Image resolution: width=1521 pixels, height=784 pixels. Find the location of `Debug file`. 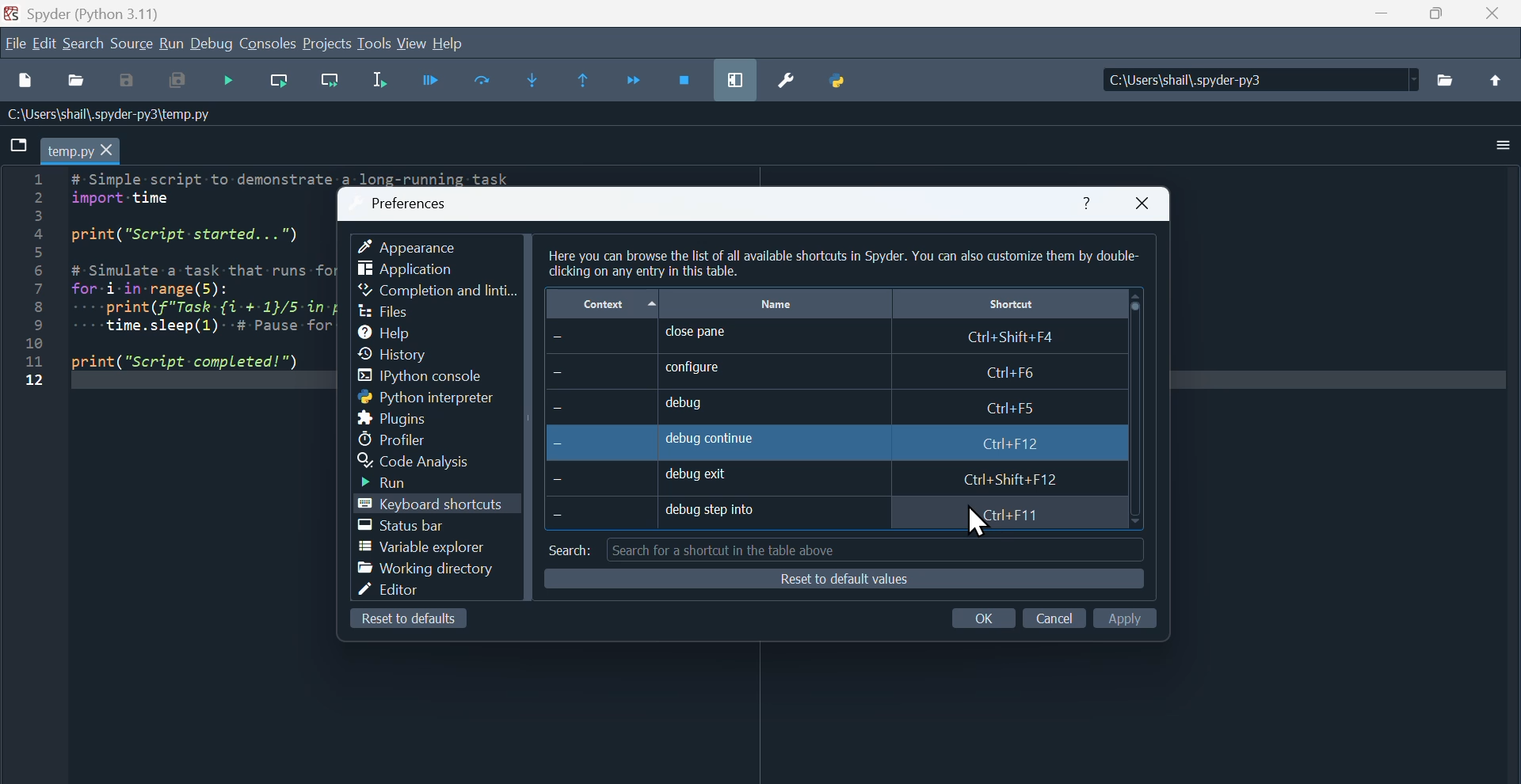

Debug file is located at coordinates (230, 84).